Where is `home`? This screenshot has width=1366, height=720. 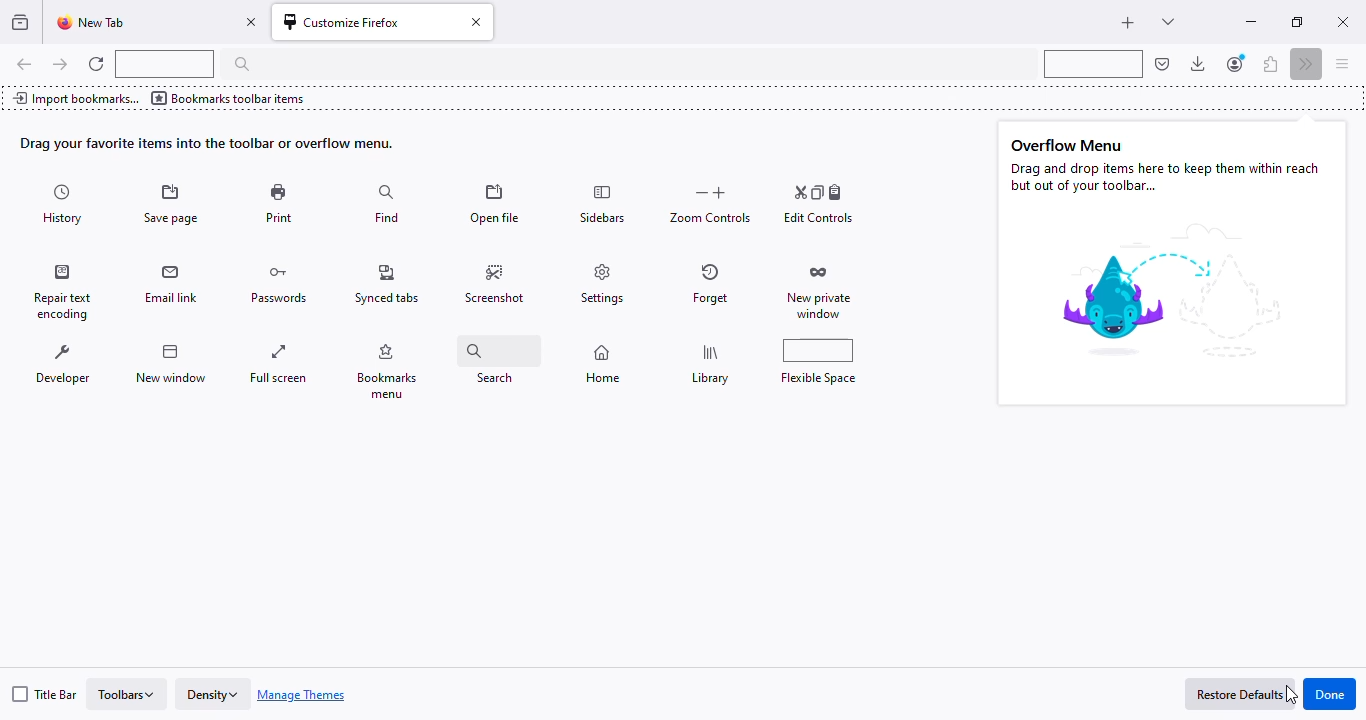
home is located at coordinates (603, 363).